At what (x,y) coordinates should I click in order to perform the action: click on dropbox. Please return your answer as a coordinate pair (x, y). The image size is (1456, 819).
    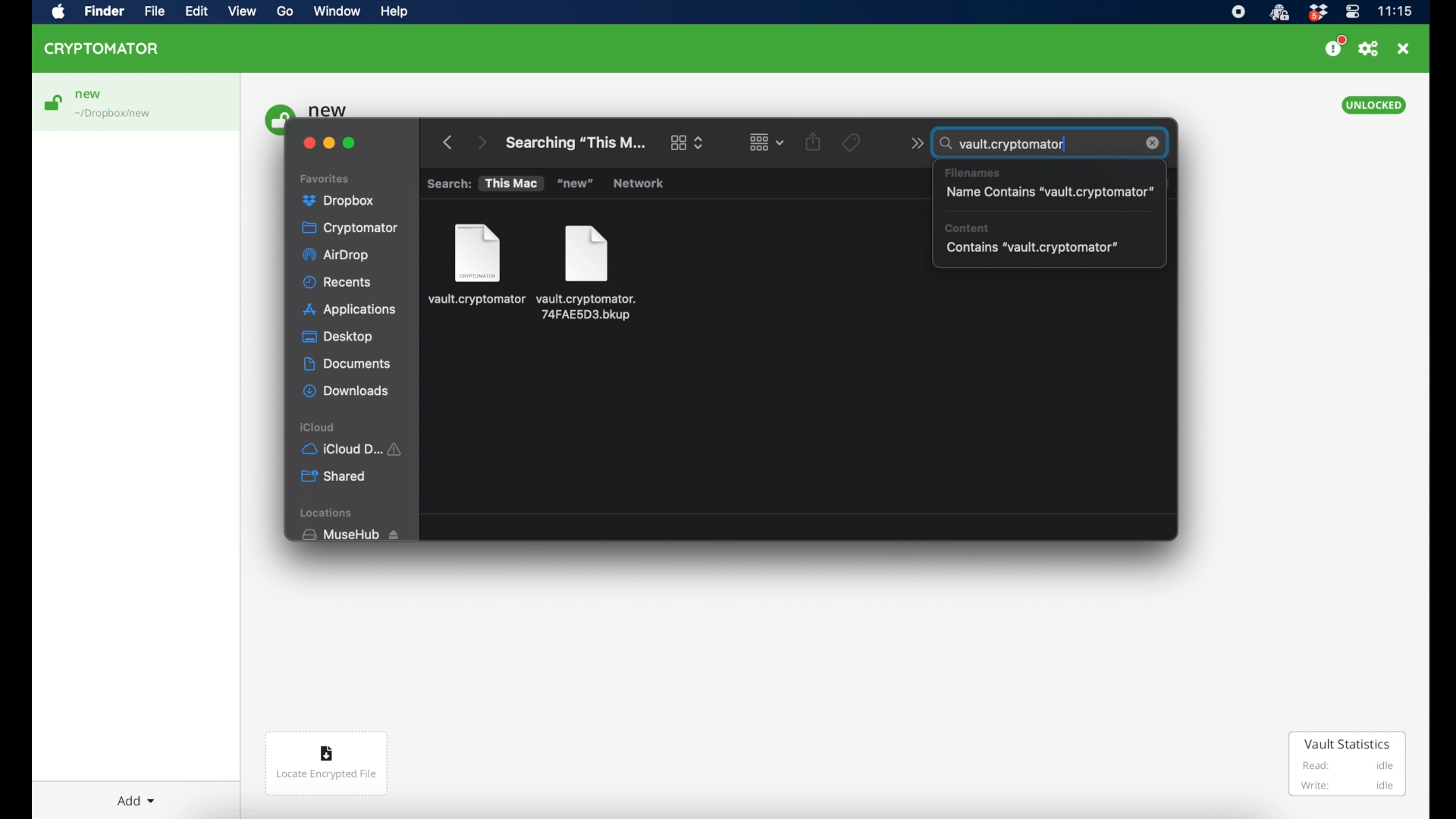
    Looking at the image, I should click on (1317, 13).